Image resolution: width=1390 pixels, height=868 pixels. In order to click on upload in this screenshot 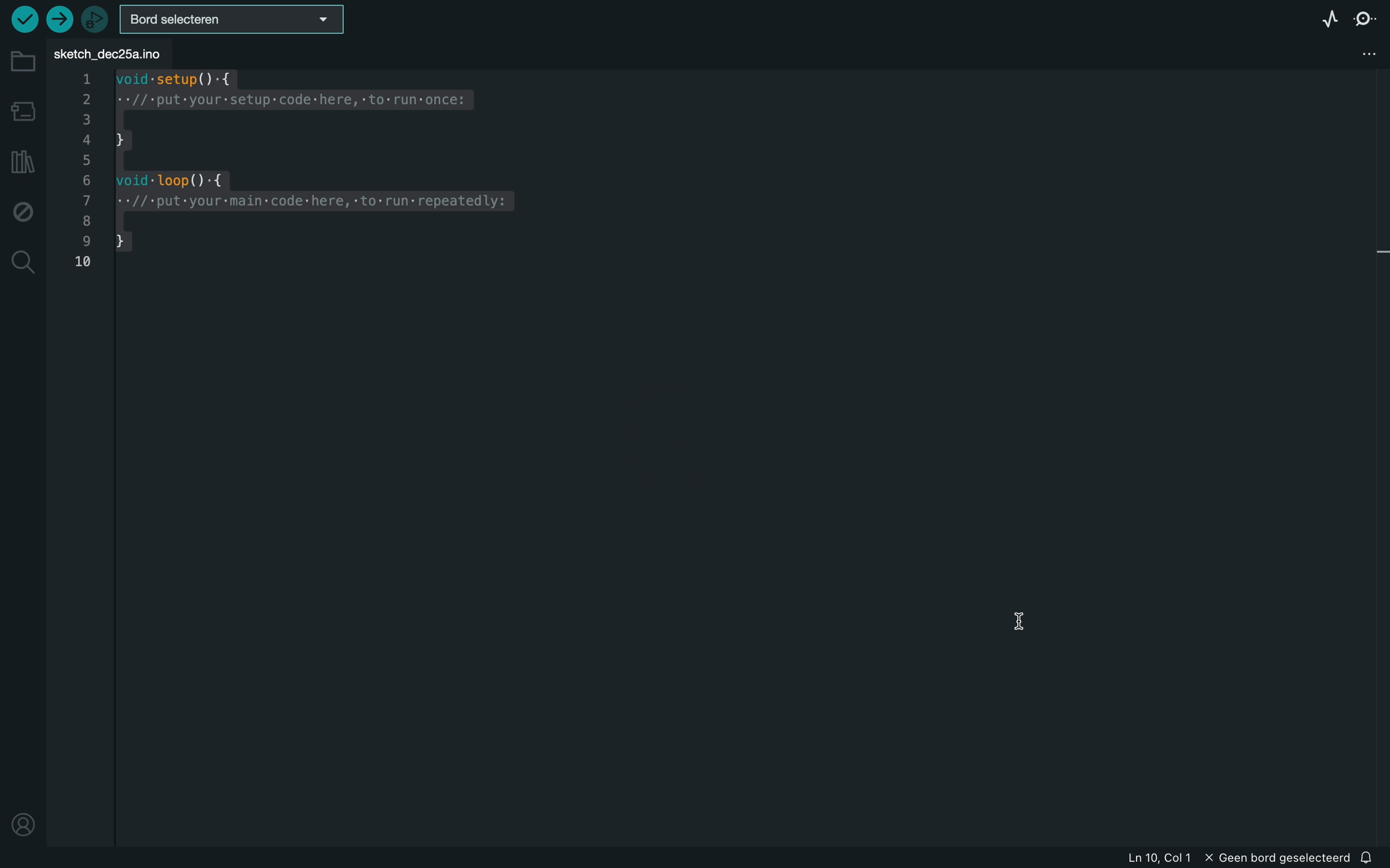, I will do `click(57, 21)`.